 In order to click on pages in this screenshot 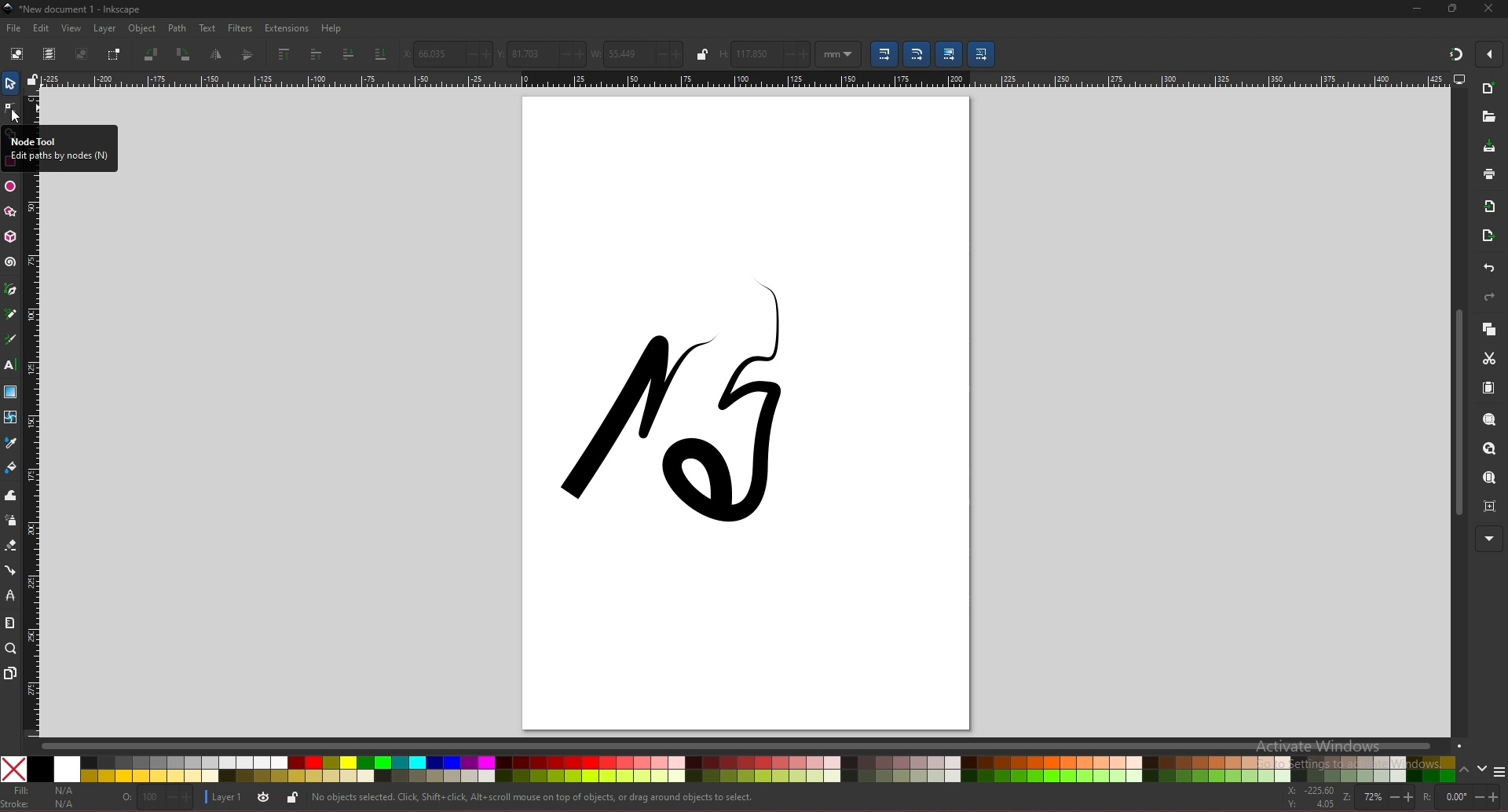, I will do `click(11, 673)`.